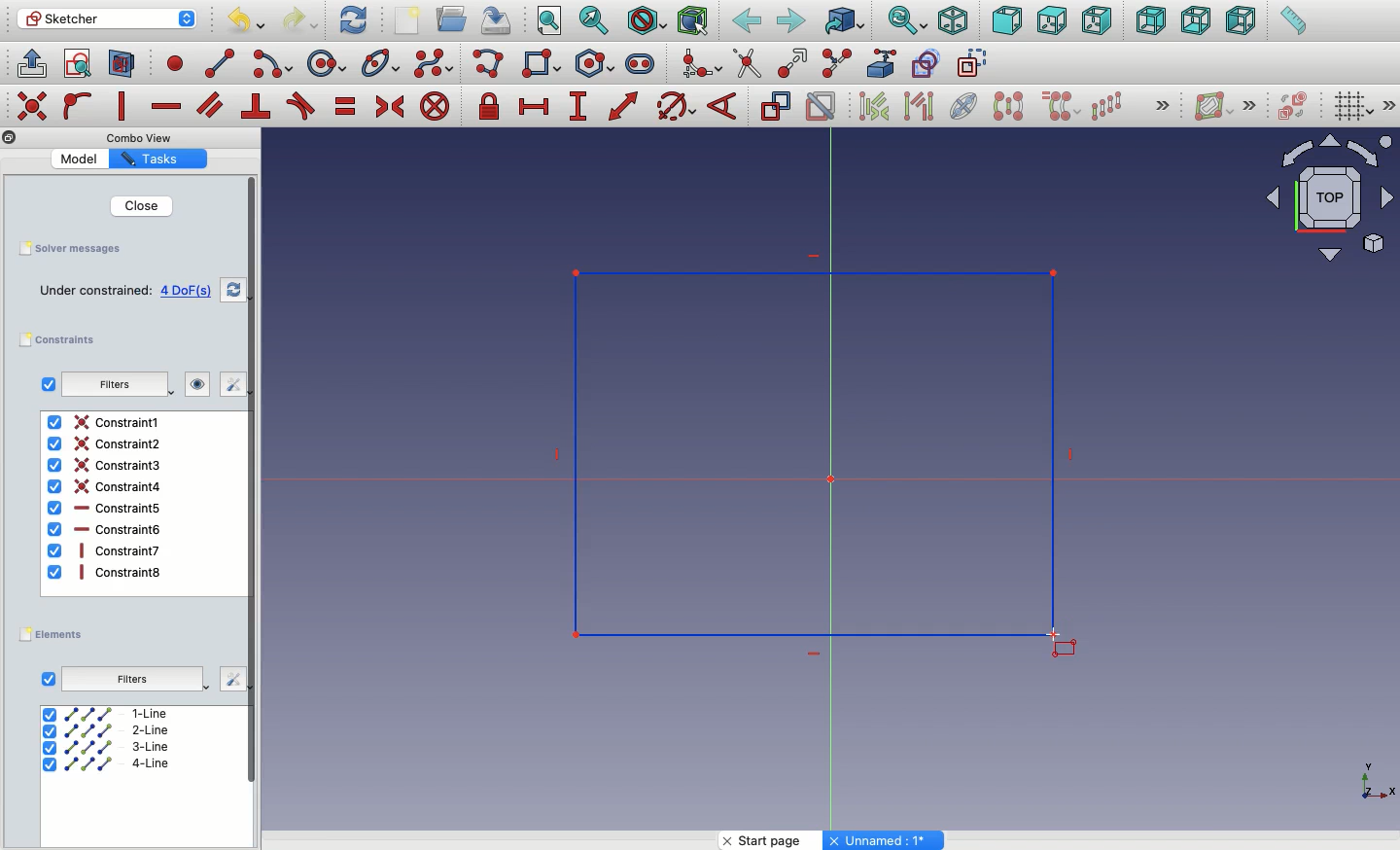 The height and width of the screenshot is (850, 1400). Describe the element at coordinates (191, 291) in the screenshot. I see `4 DoFs` at that location.